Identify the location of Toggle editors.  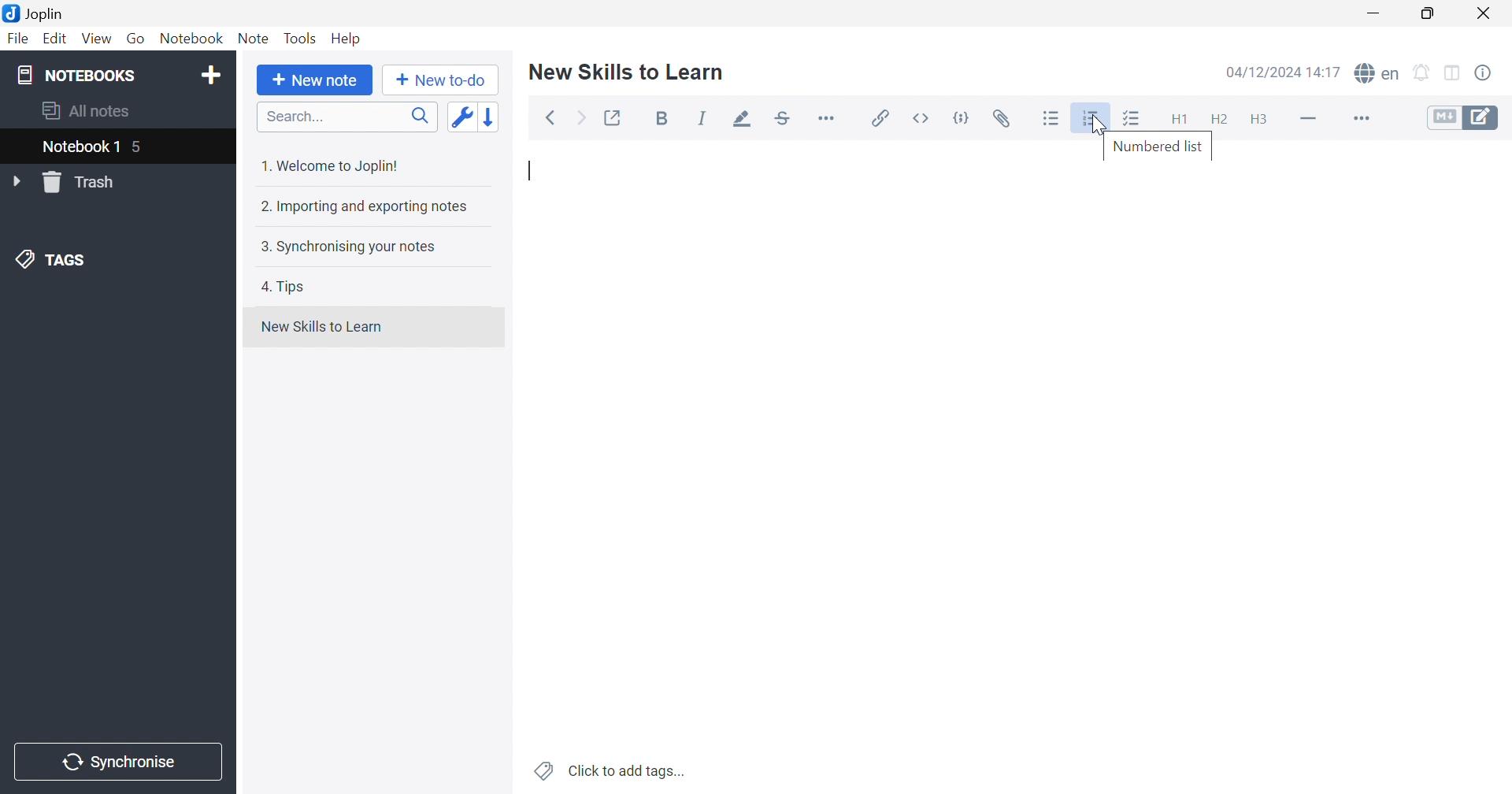
(1463, 117).